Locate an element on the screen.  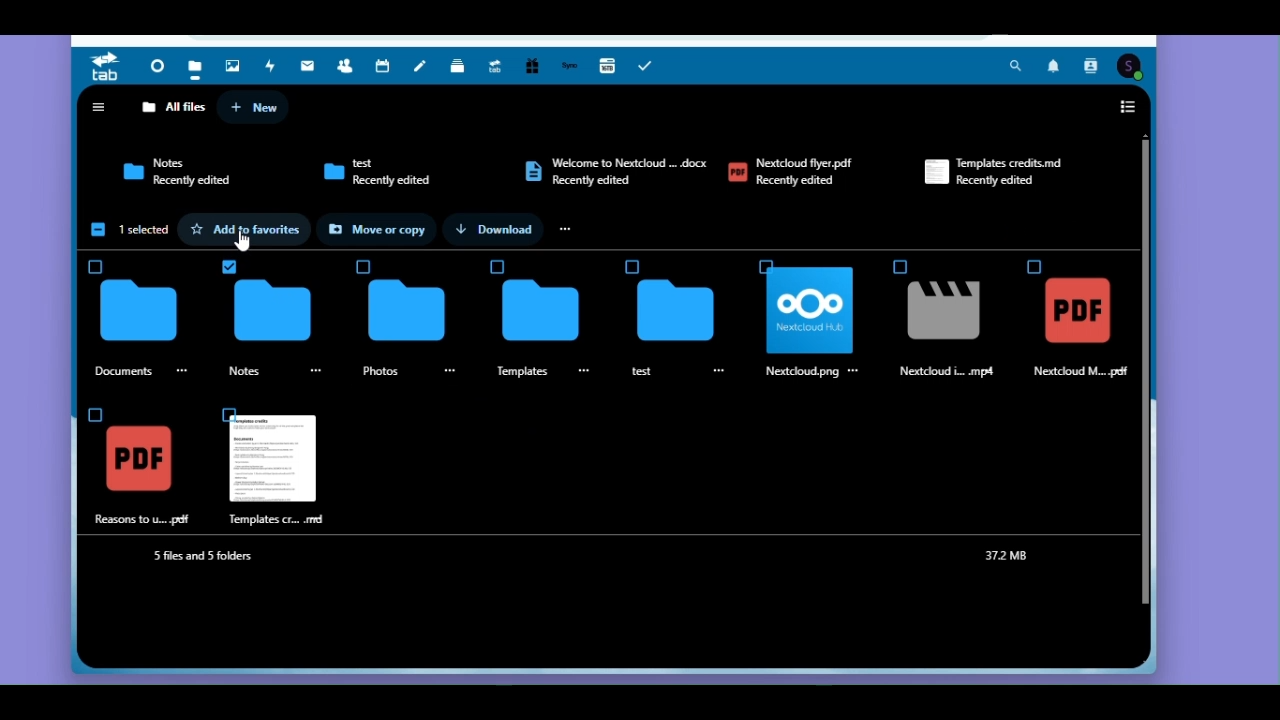
37.2 MB is located at coordinates (1007, 555).